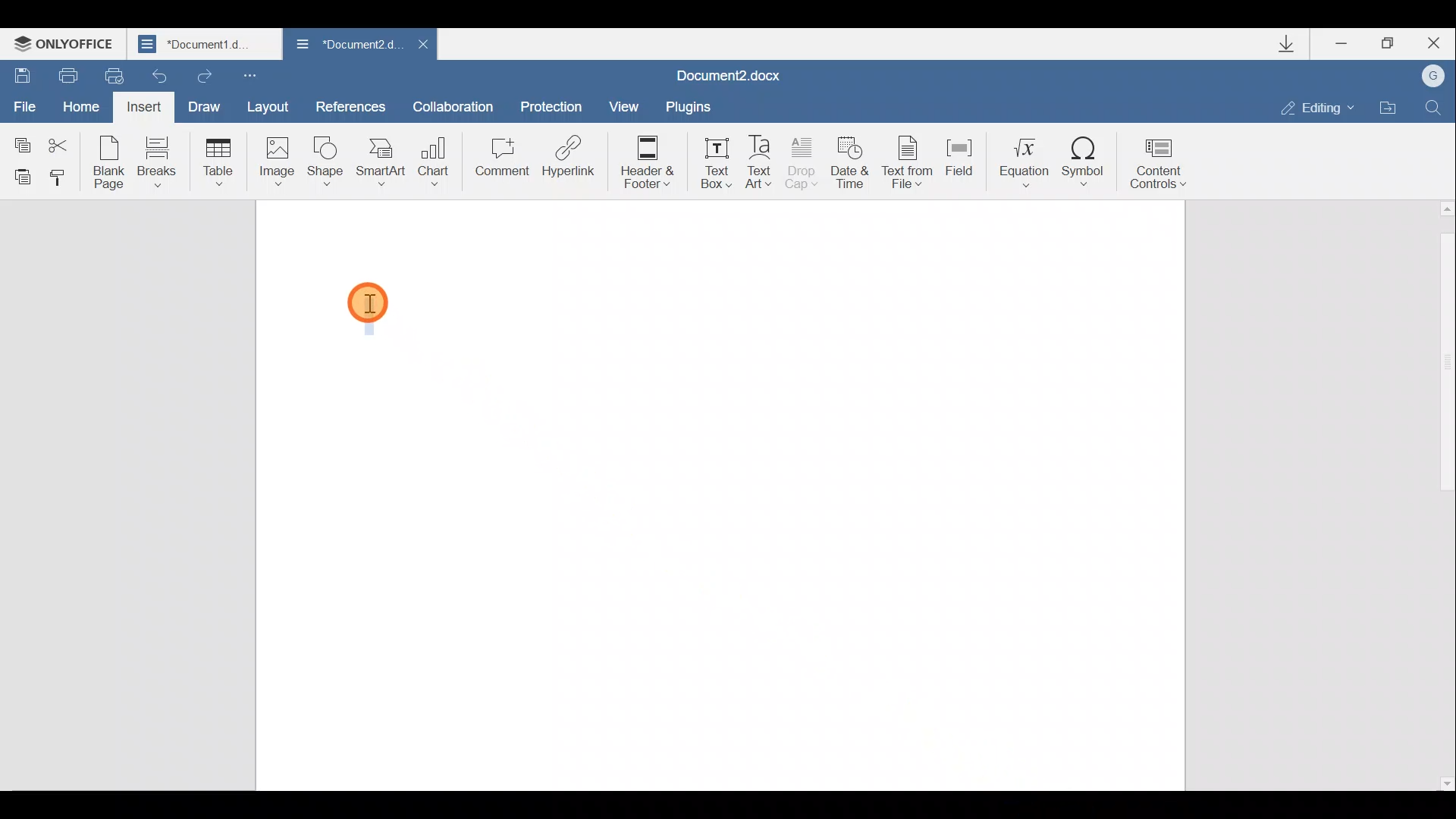 The image size is (1456, 819). I want to click on Field, so click(959, 163).